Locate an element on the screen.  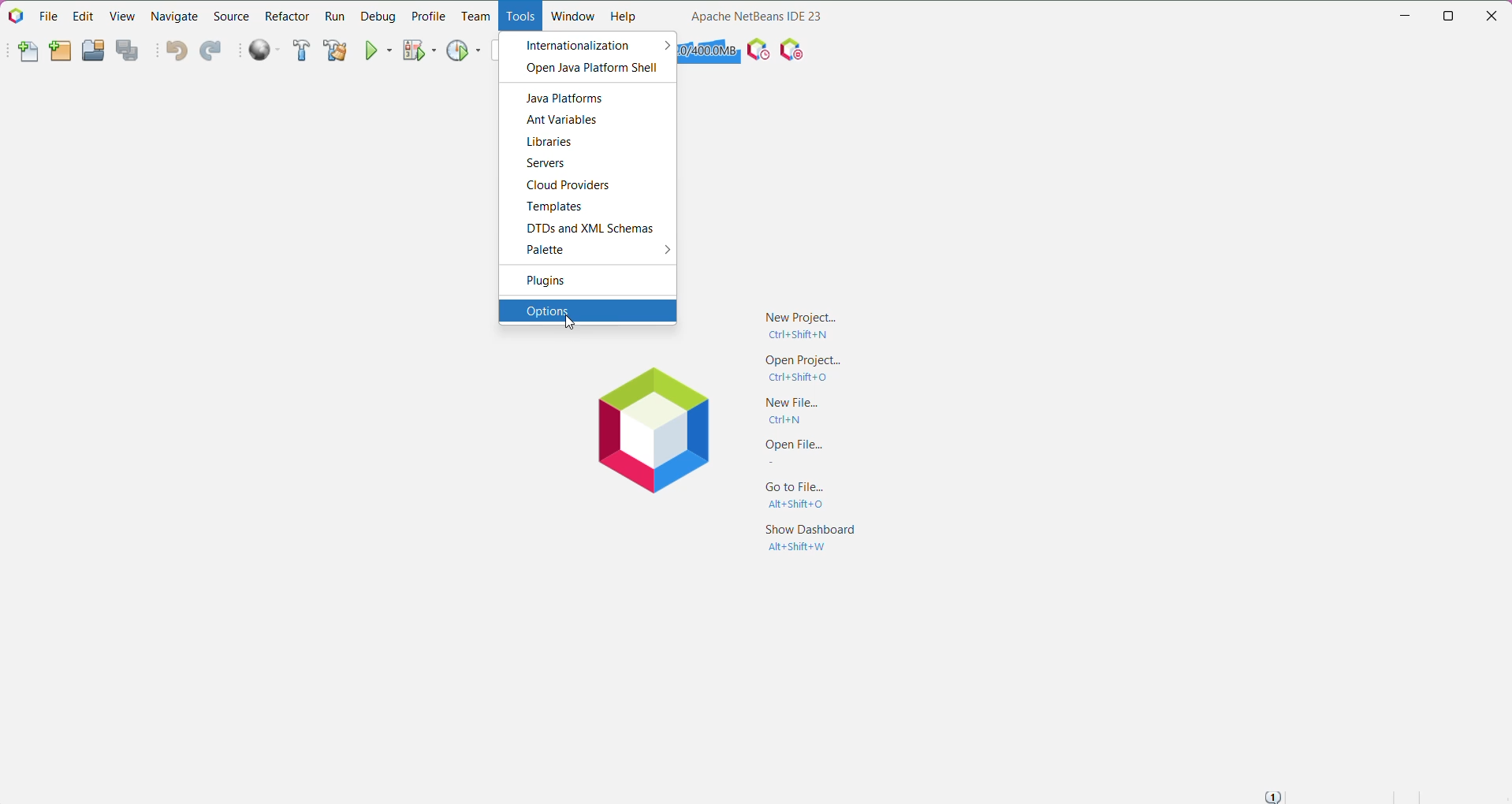
Edit is located at coordinates (81, 16).